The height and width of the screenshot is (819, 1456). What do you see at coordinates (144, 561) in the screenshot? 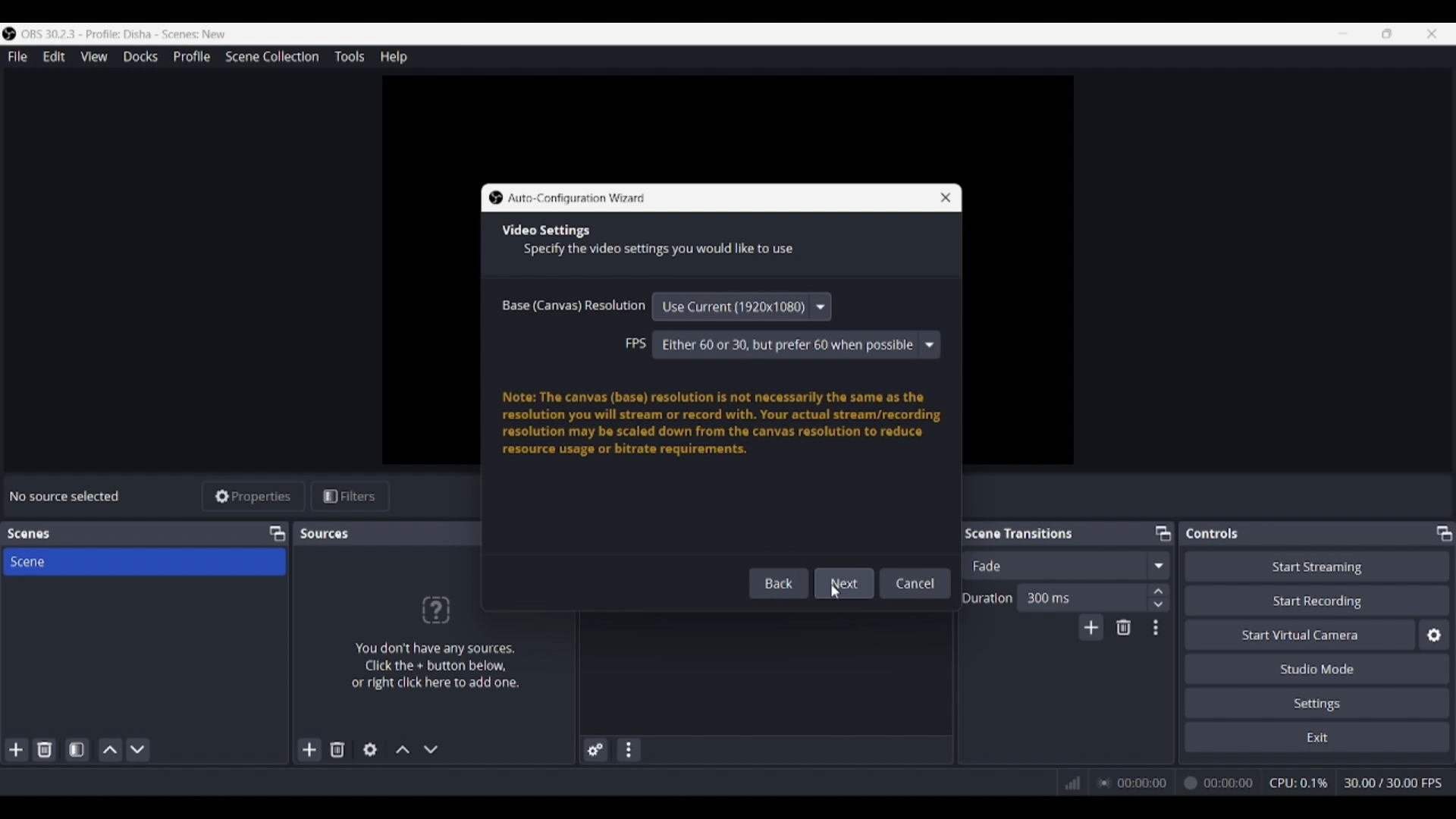
I see `Scene title` at bounding box center [144, 561].